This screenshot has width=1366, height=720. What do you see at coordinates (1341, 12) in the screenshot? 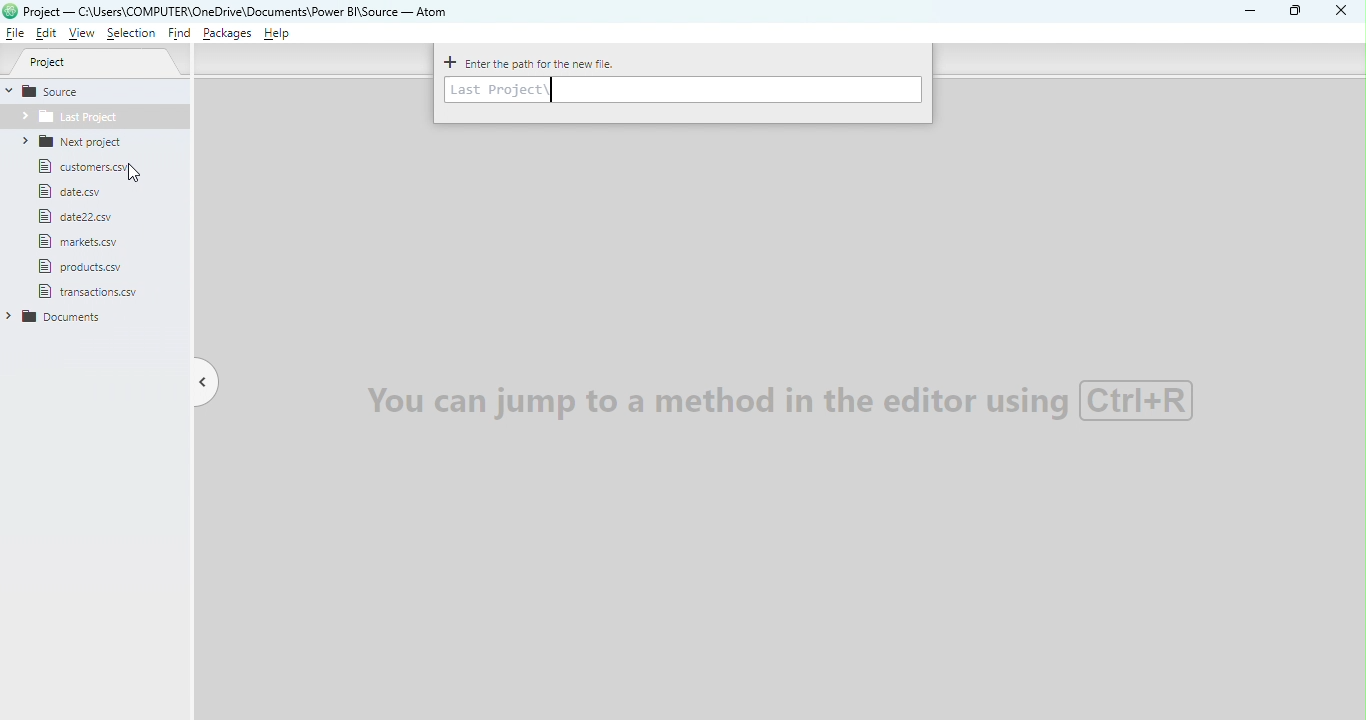
I see `Close` at bounding box center [1341, 12].